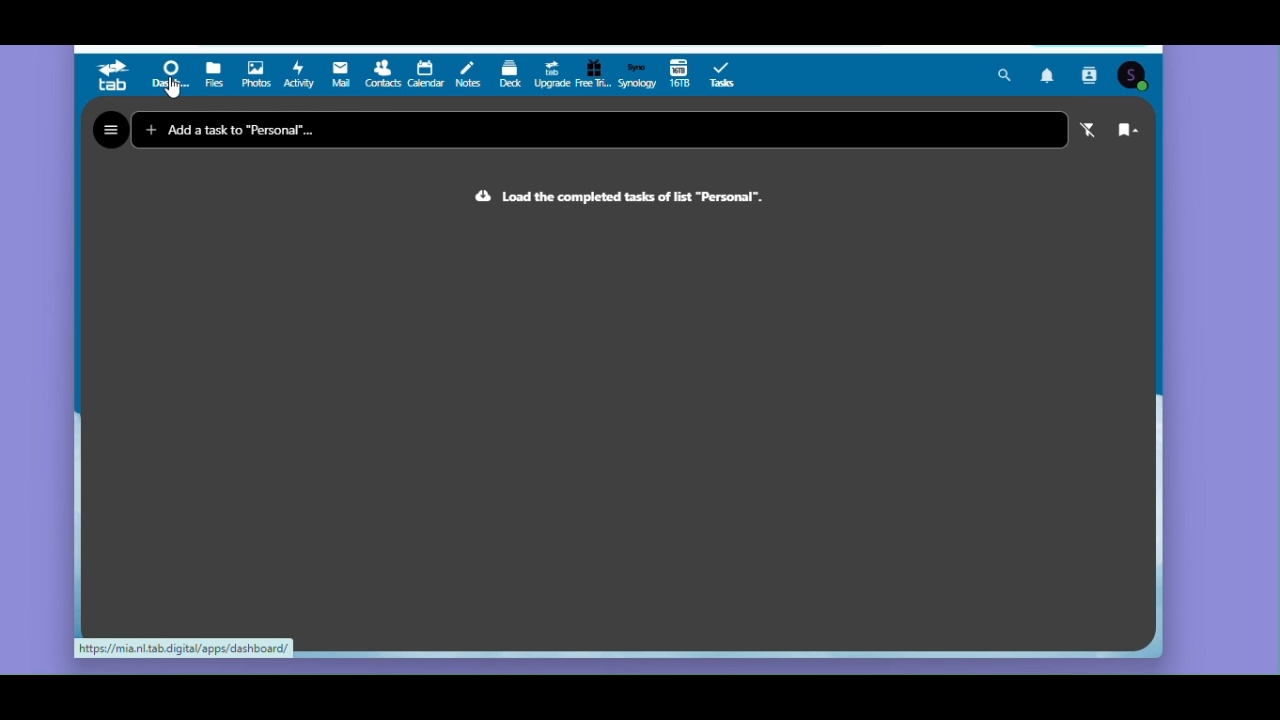 The width and height of the screenshot is (1280, 720). I want to click on + Add a task to " personal "..., so click(236, 132).